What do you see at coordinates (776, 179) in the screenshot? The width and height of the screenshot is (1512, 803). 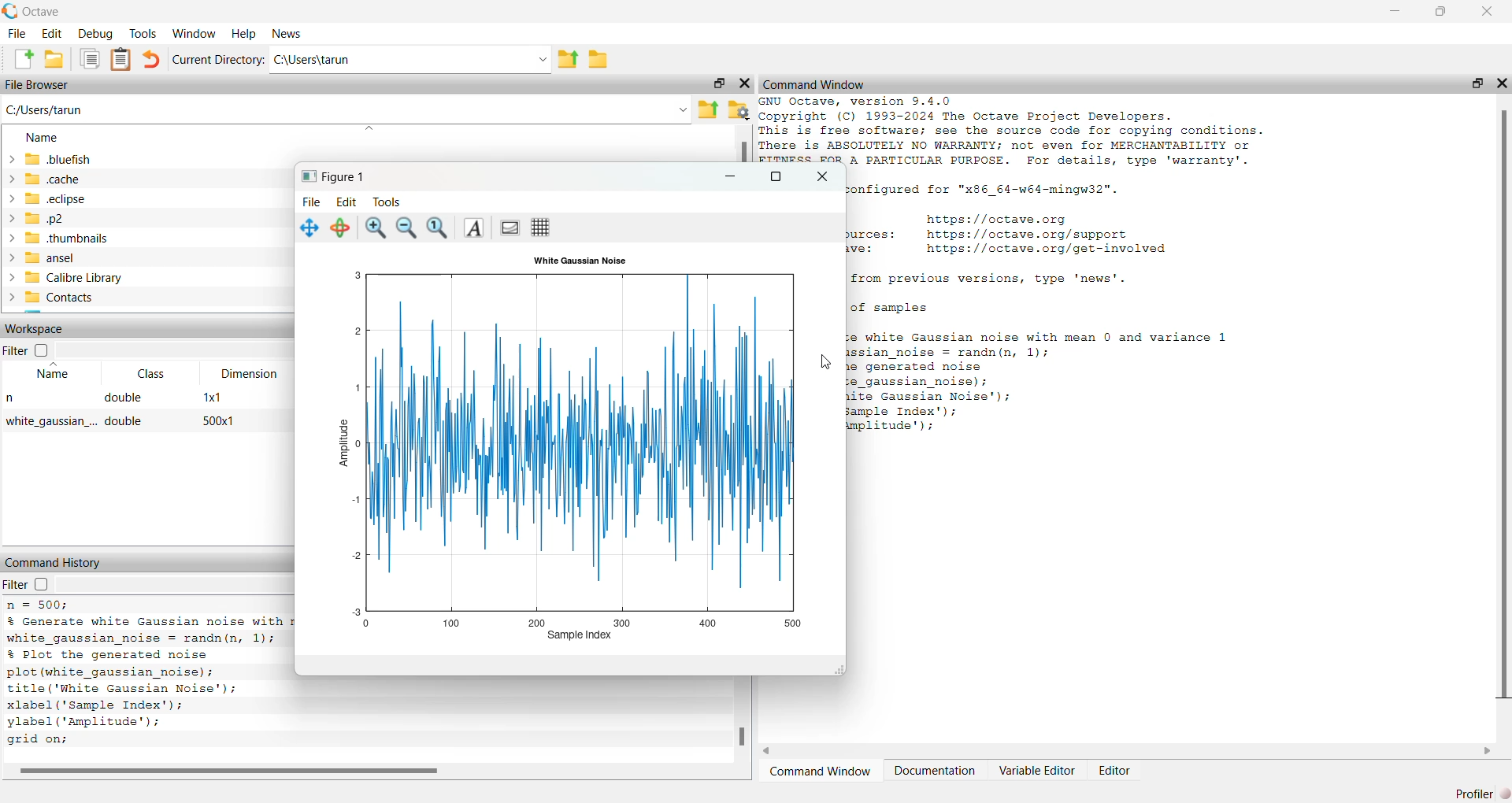 I see `maximize` at bounding box center [776, 179].